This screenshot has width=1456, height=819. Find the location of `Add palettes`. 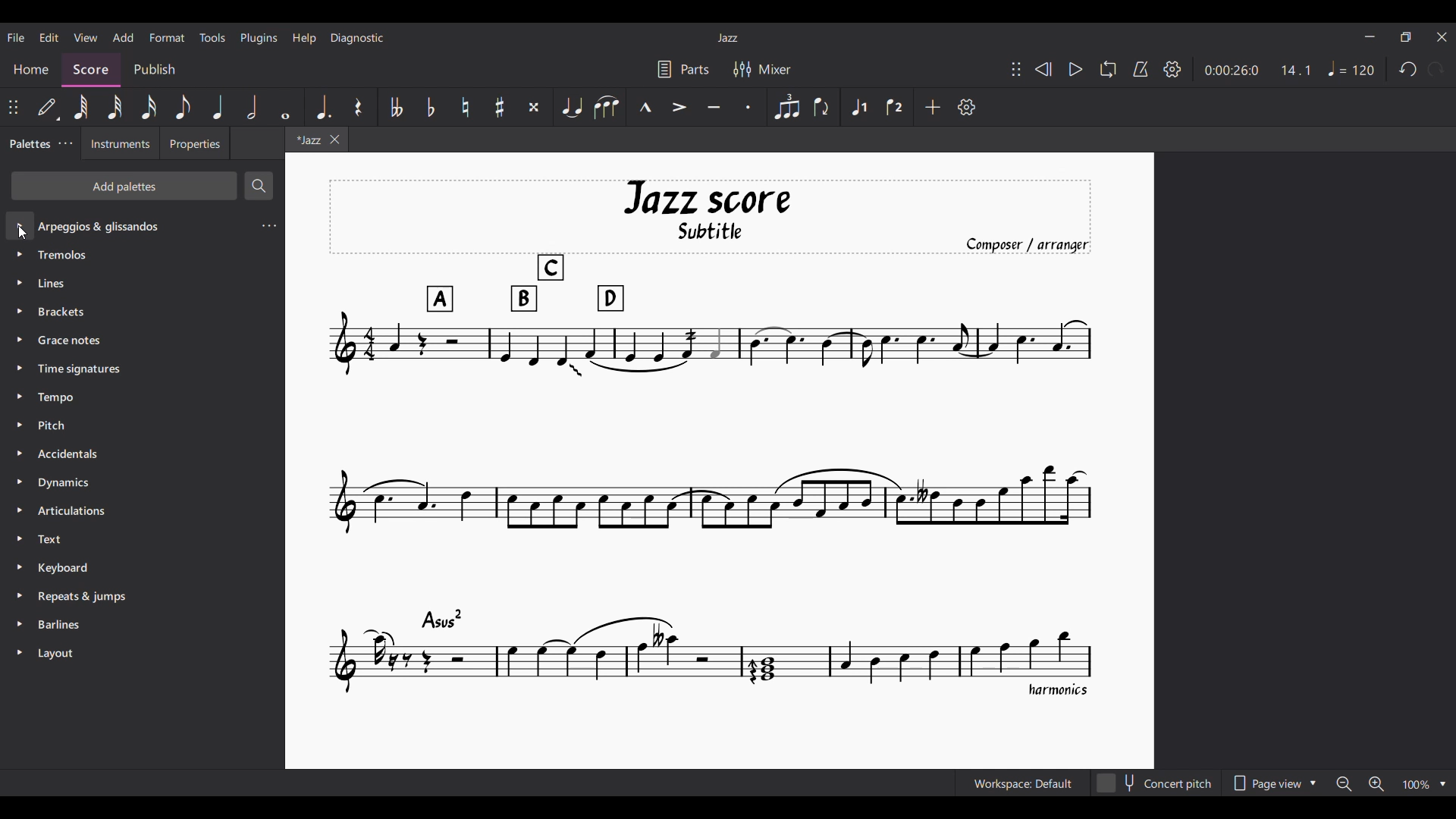

Add palettes is located at coordinates (124, 185).